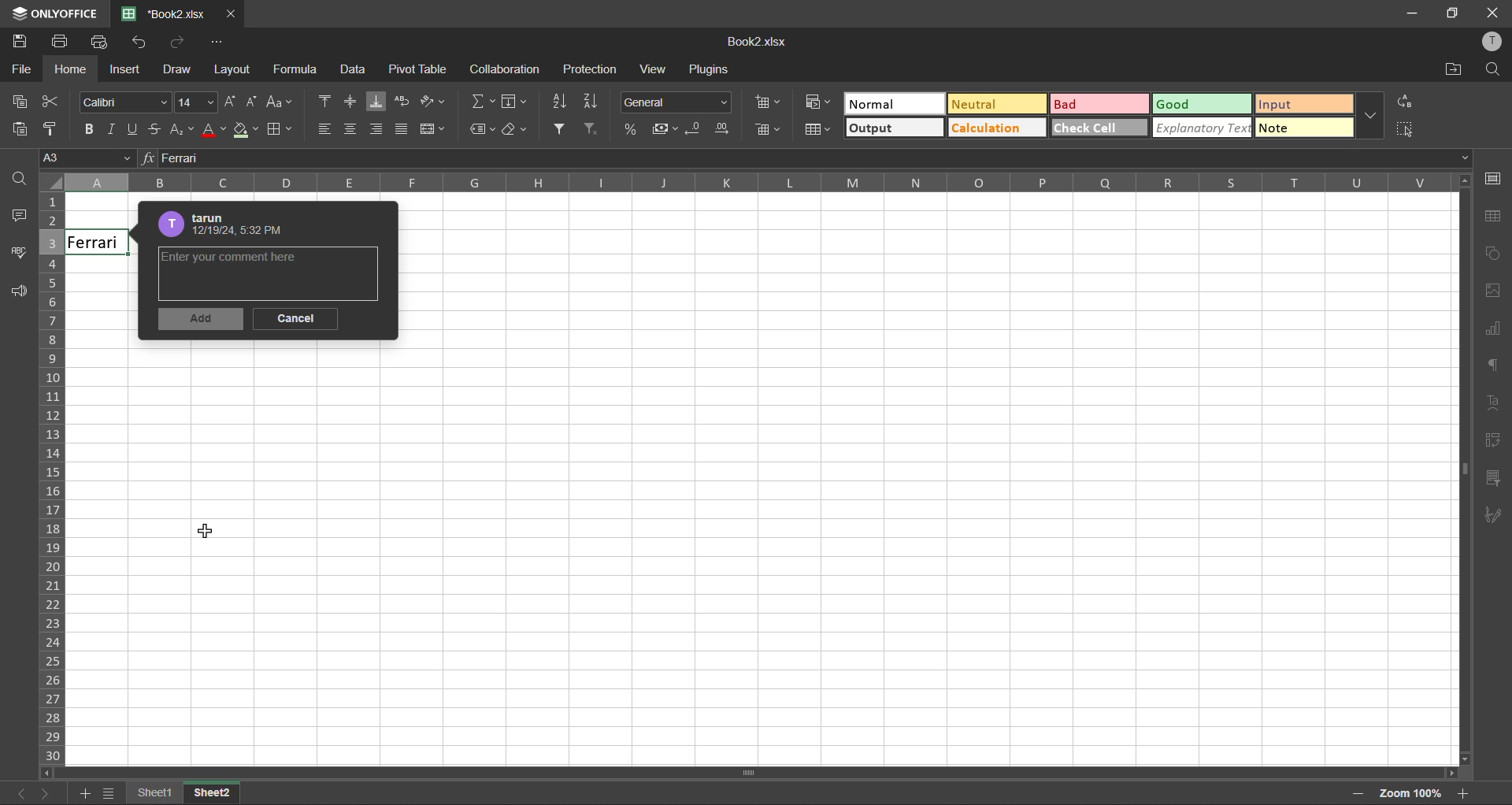  Describe the element at coordinates (433, 132) in the screenshot. I see `merge and center` at that location.